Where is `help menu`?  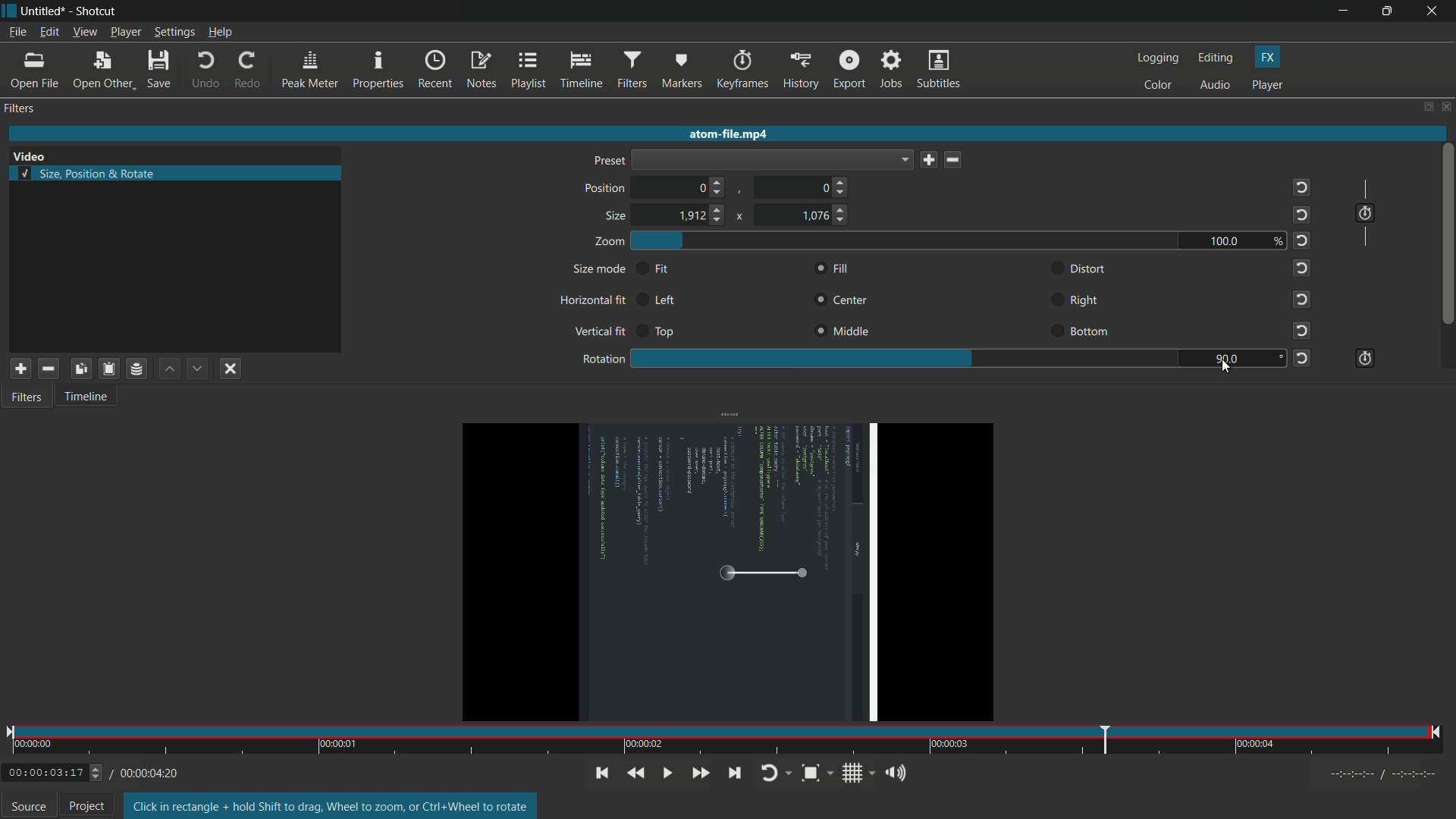 help menu is located at coordinates (221, 33).